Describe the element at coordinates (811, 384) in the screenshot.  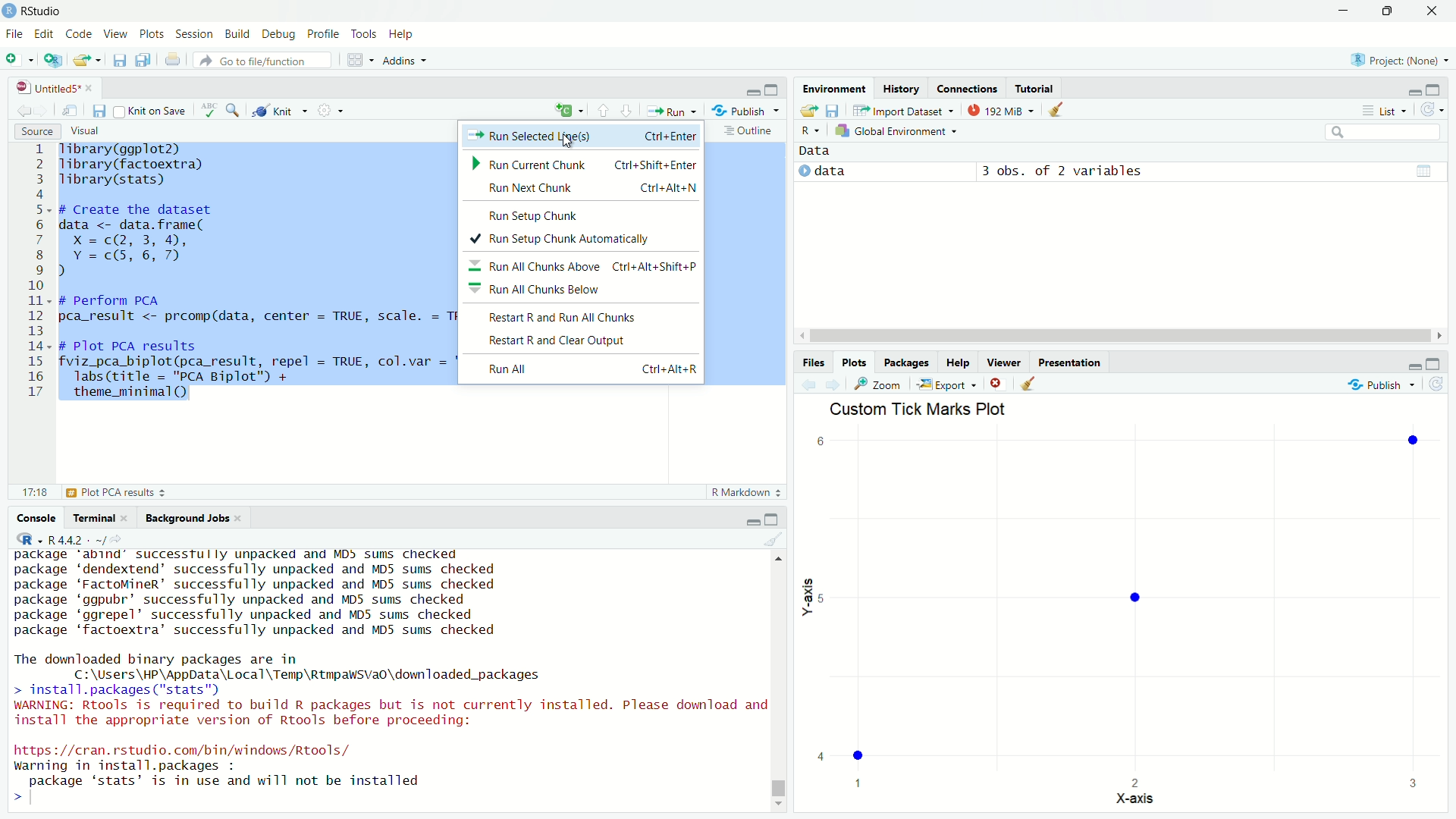
I see `go back` at that location.